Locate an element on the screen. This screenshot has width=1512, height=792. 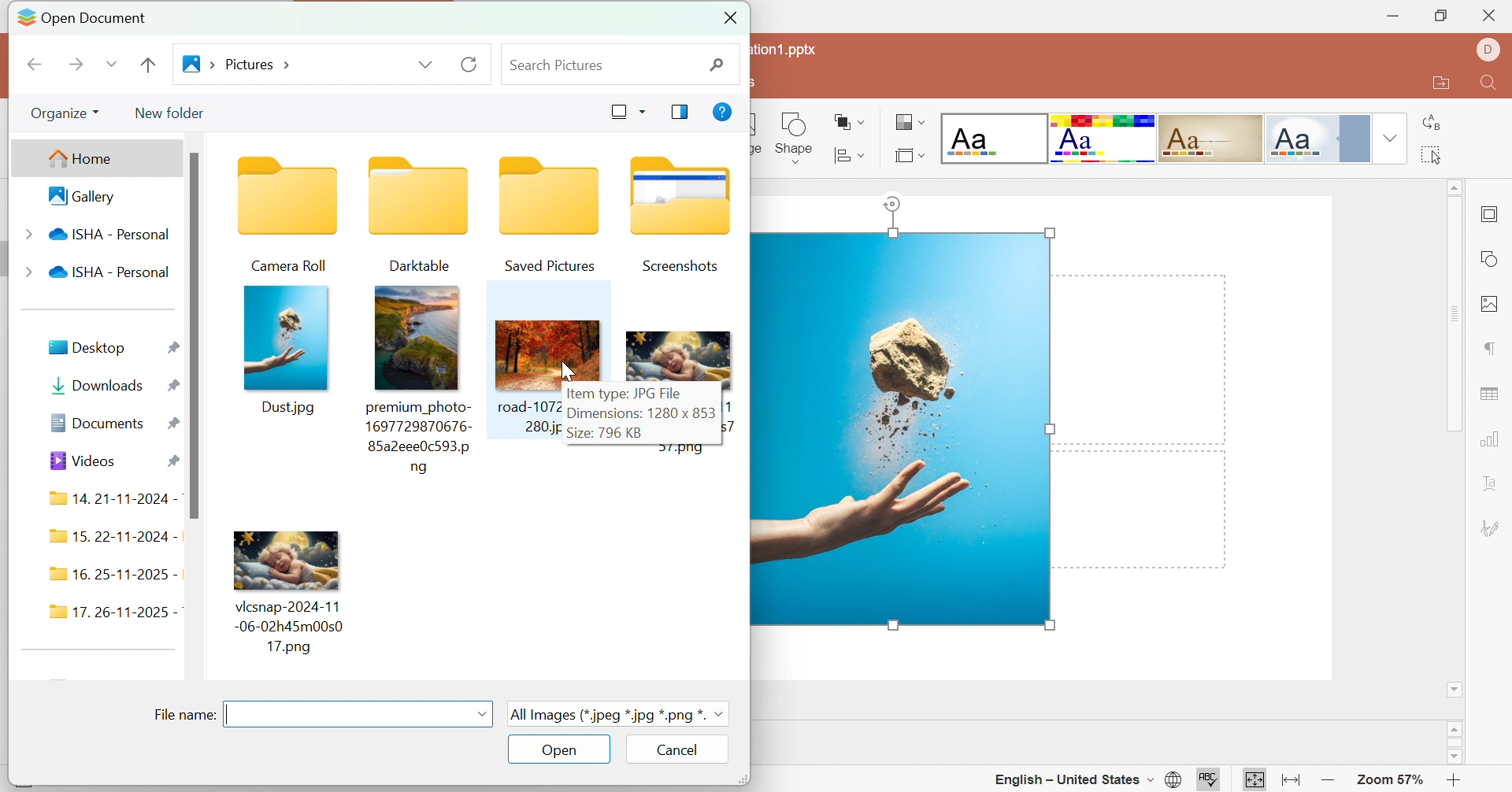
Organize is located at coordinates (61, 116).